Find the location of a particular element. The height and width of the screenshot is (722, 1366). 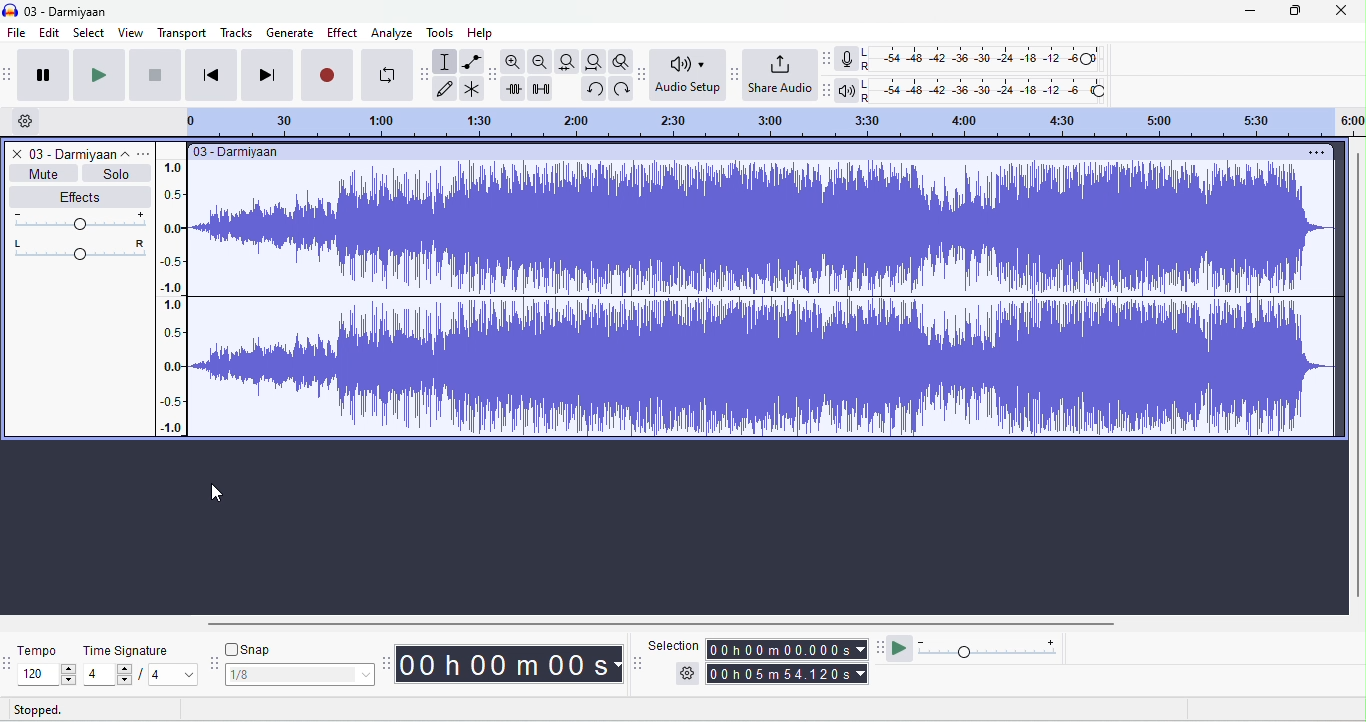

solo is located at coordinates (117, 174).